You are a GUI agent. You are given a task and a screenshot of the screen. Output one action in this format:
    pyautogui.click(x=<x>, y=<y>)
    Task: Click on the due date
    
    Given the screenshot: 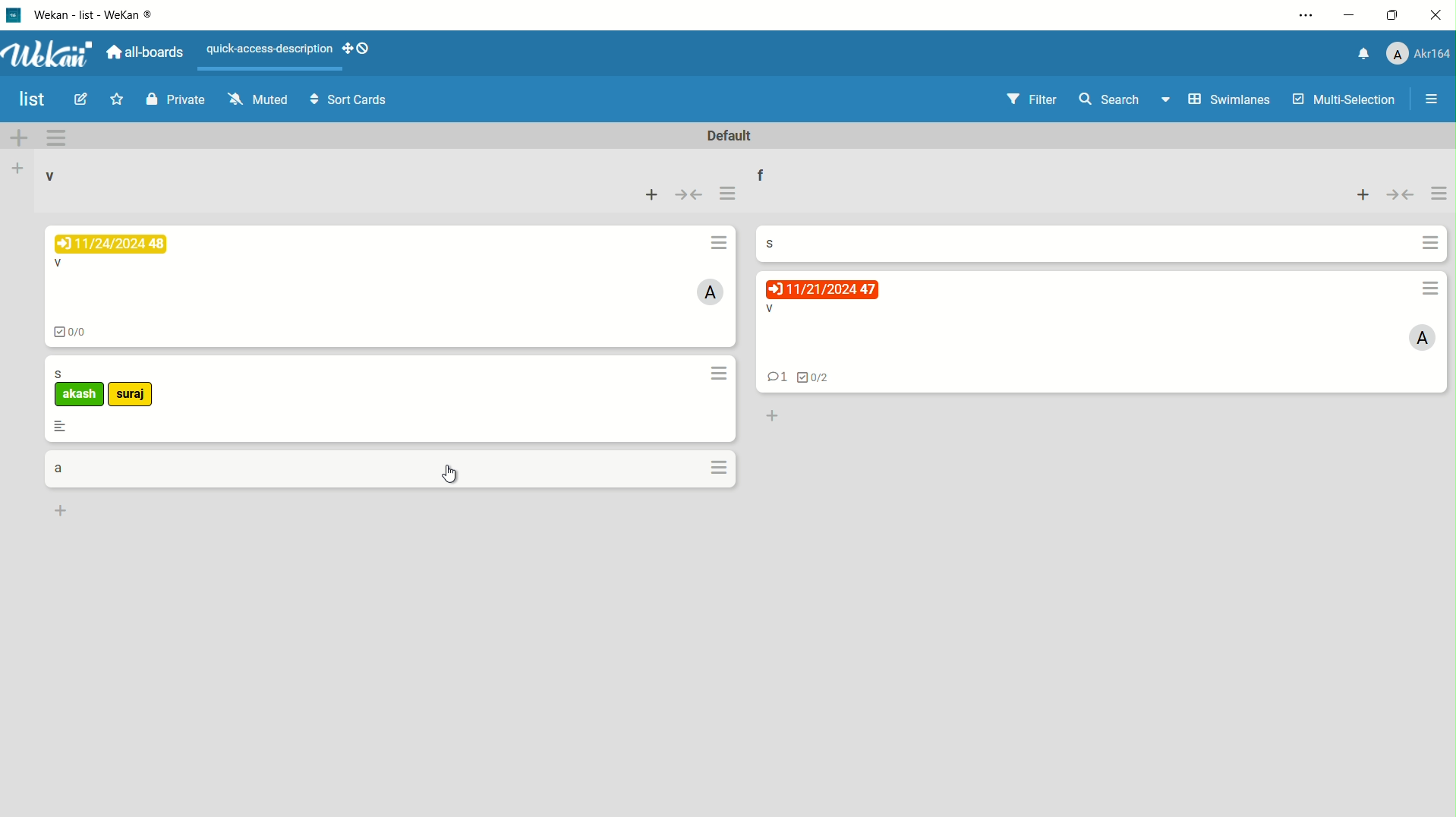 What is the action you would take?
    pyautogui.click(x=110, y=244)
    